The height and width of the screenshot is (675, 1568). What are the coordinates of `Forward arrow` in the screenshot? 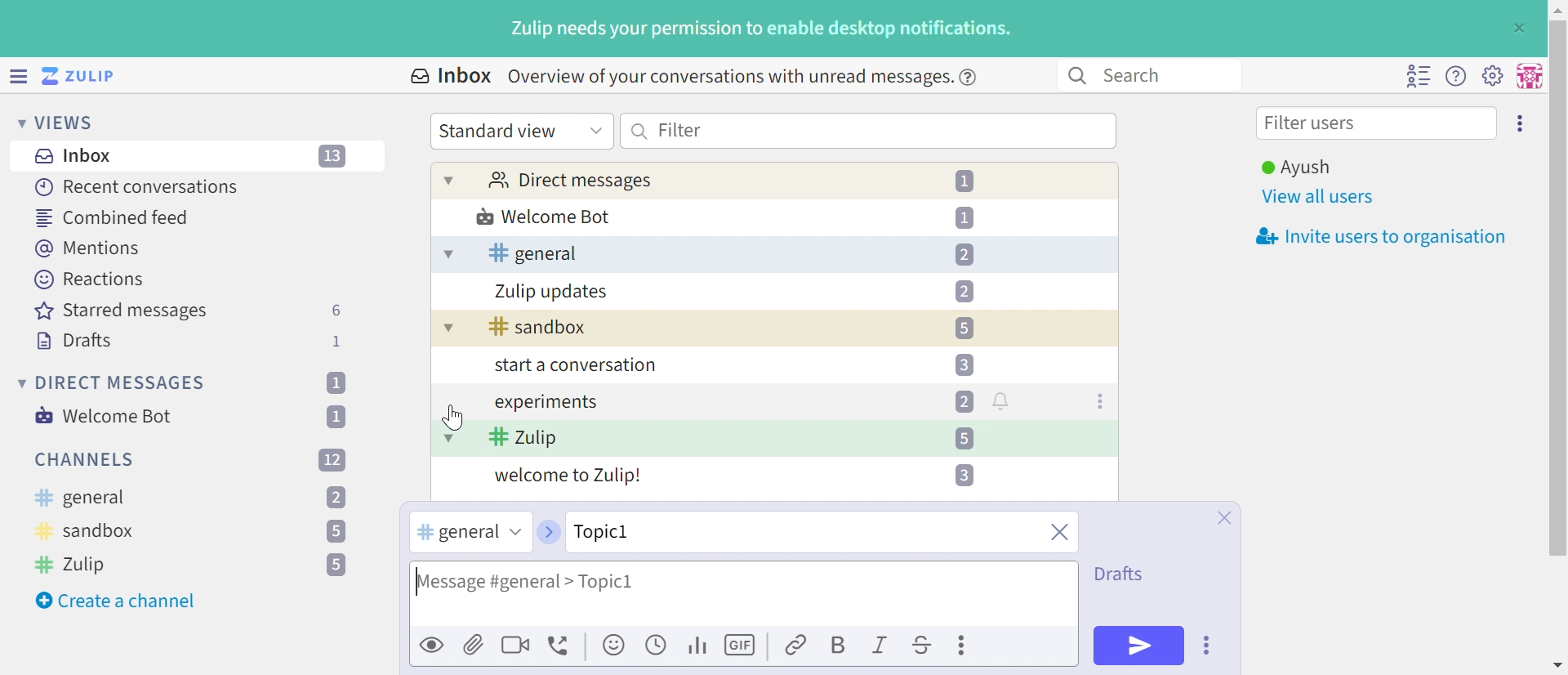 It's located at (547, 532).